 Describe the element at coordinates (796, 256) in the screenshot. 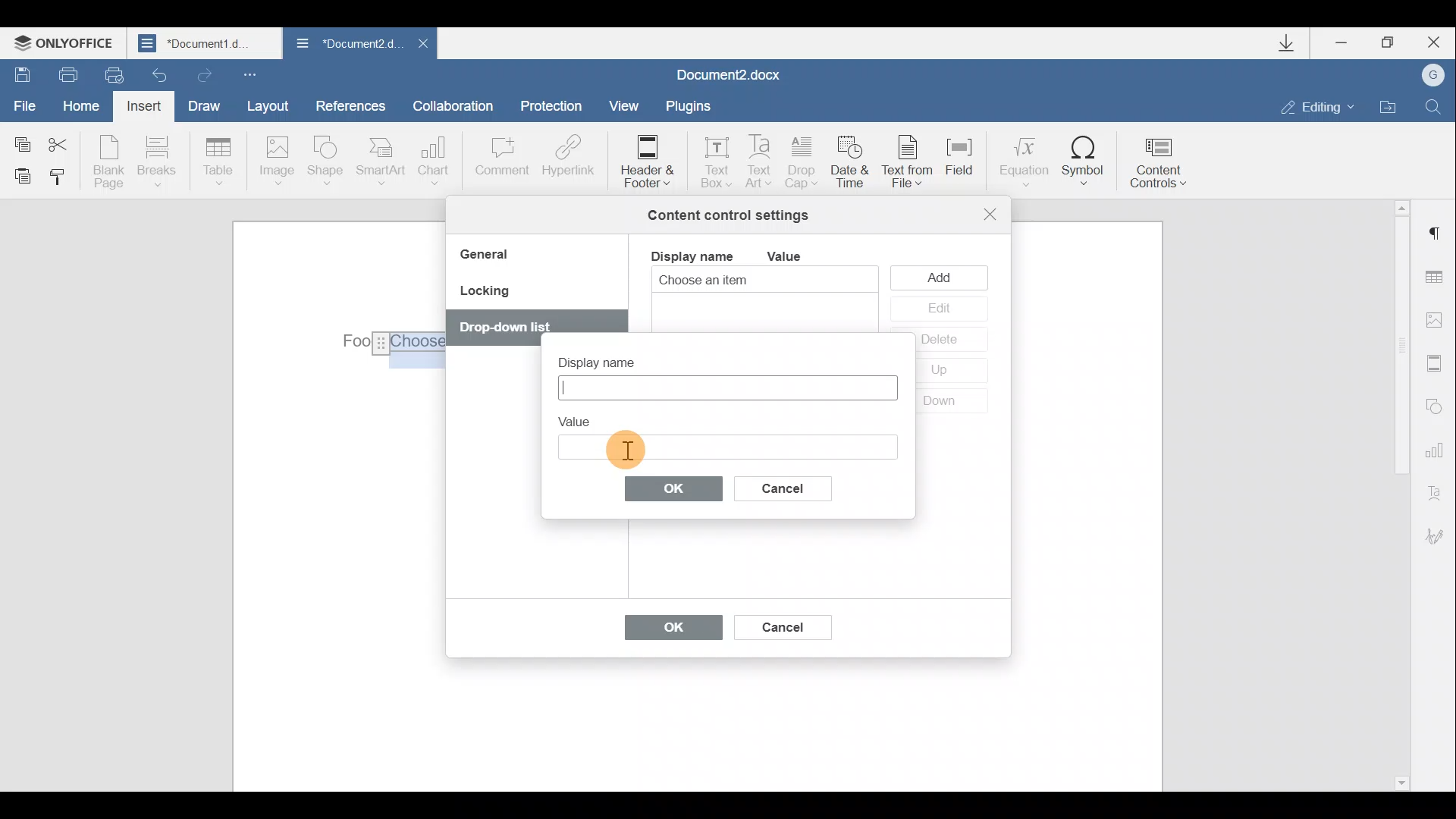

I see `Value` at that location.